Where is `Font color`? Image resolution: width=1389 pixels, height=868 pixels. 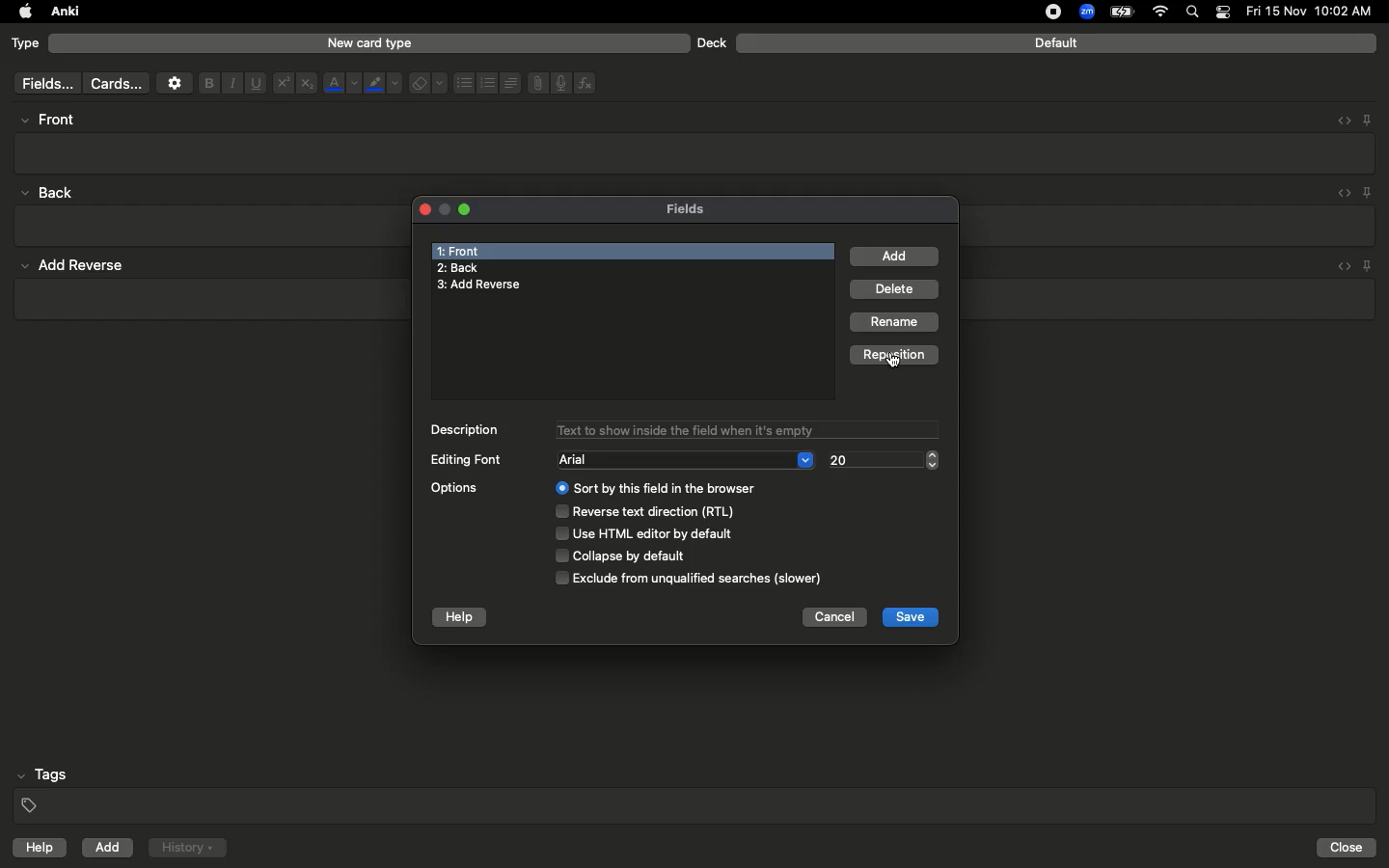 Font color is located at coordinates (340, 83).